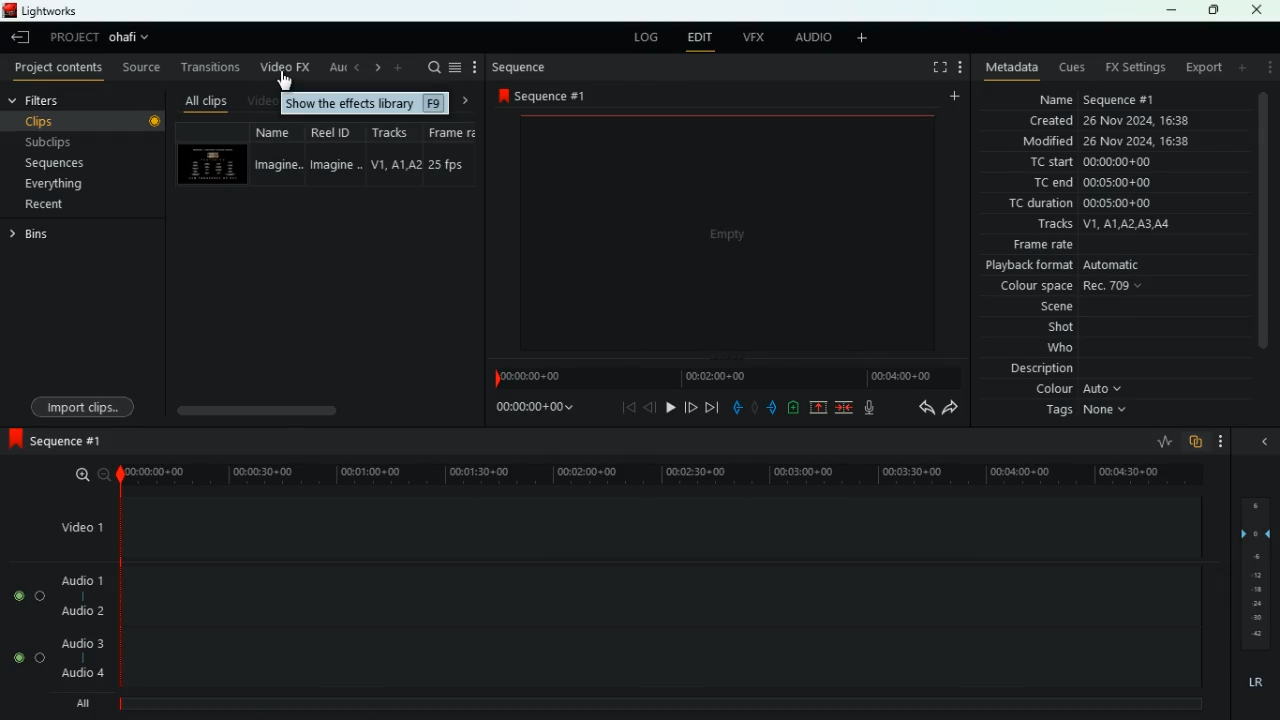 This screenshot has height=720, width=1280. What do you see at coordinates (27, 627) in the screenshot?
I see `radio button` at bounding box center [27, 627].